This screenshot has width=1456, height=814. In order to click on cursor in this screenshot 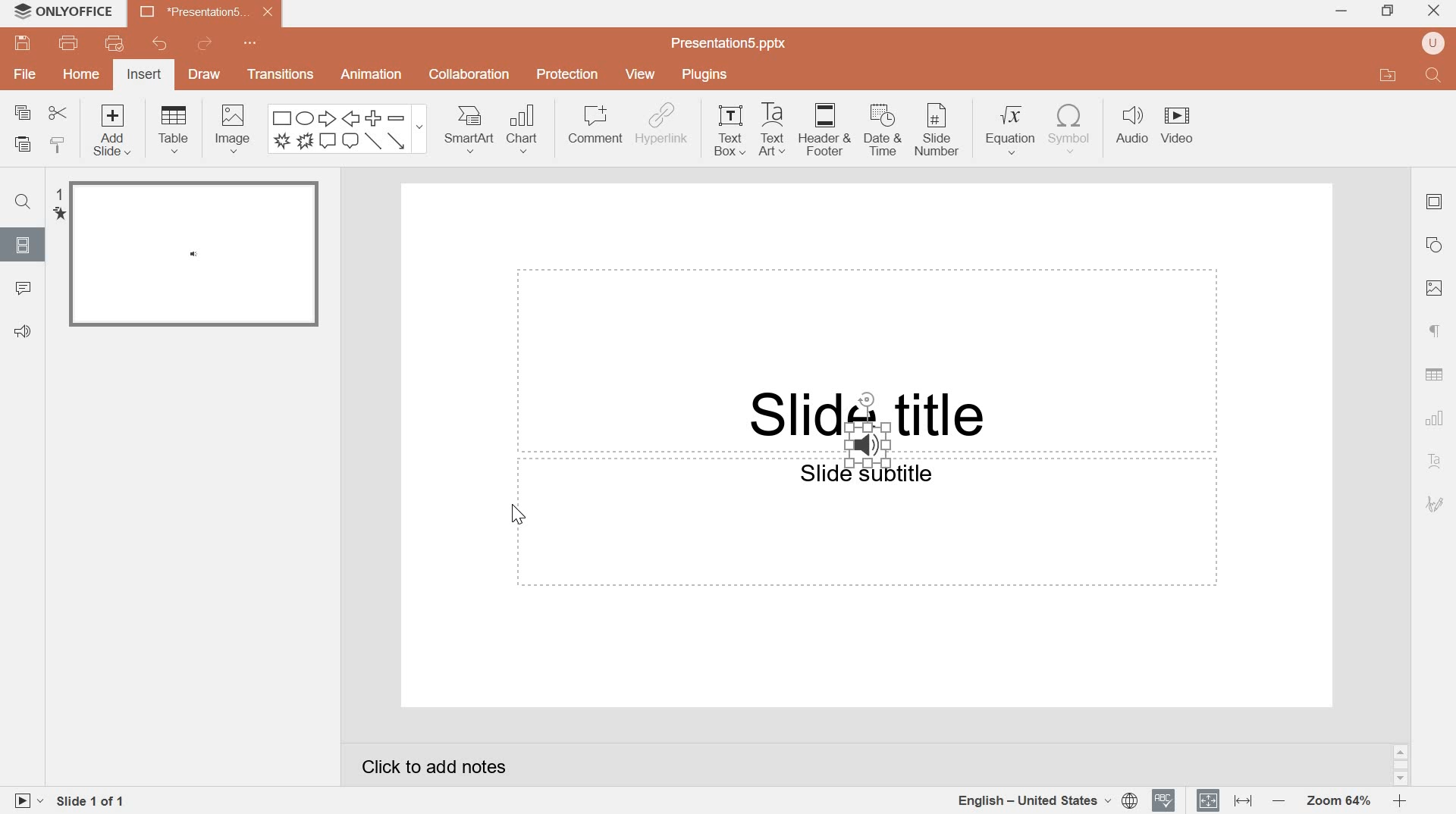, I will do `click(517, 515)`.